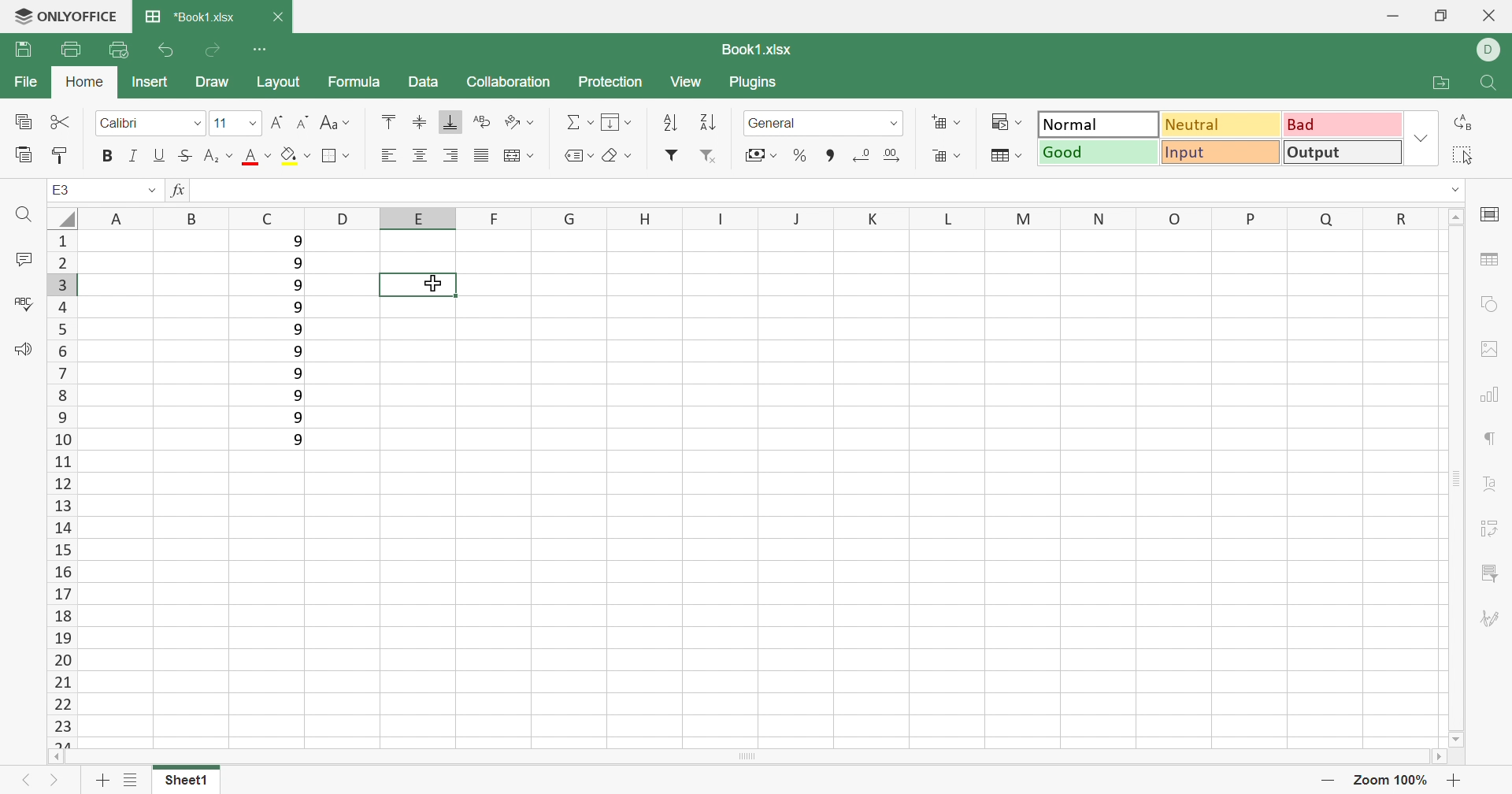  What do you see at coordinates (1490, 83) in the screenshot?
I see `Find` at bounding box center [1490, 83].